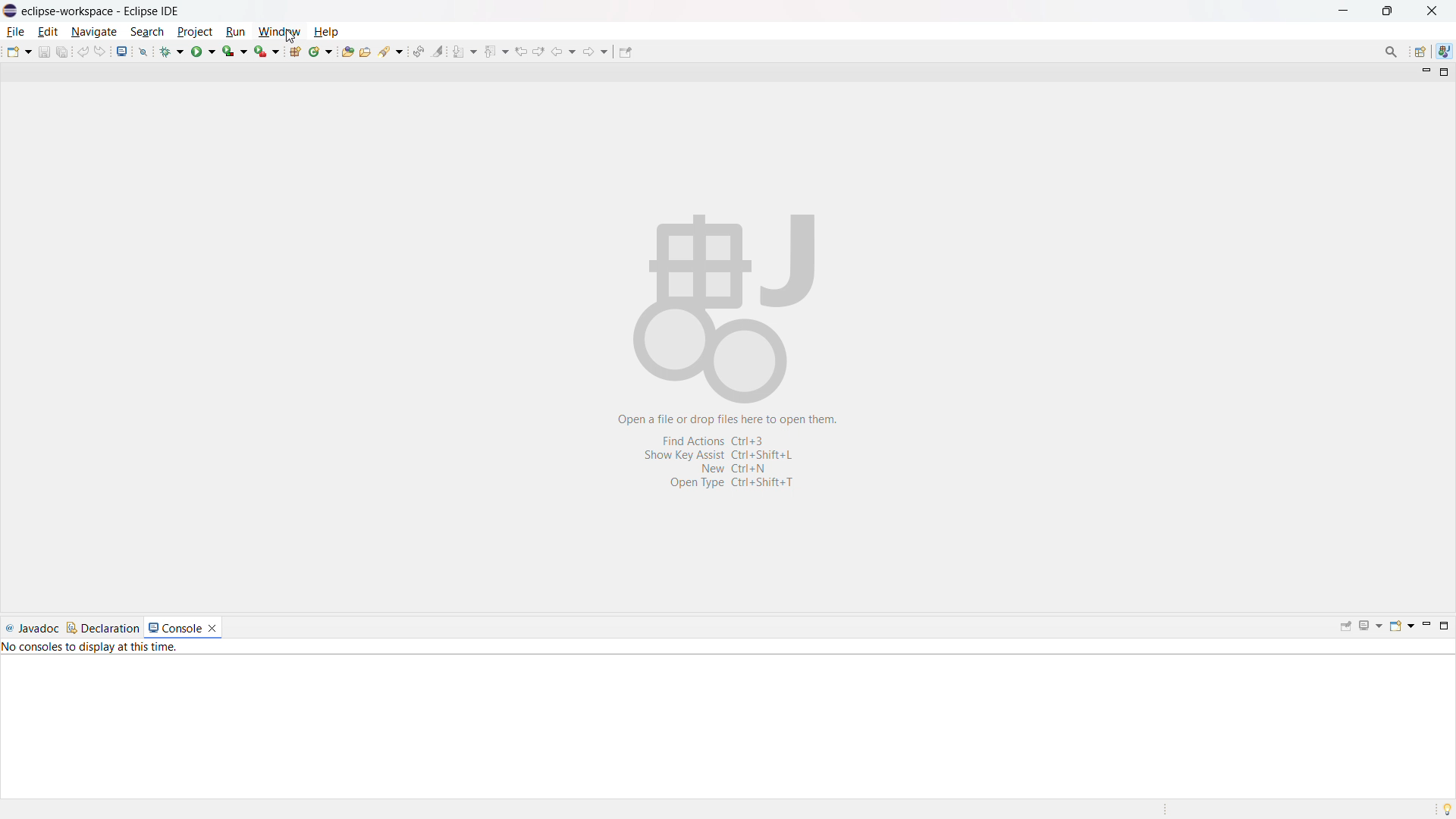 Image resolution: width=1456 pixels, height=819 pixels. What do you see at coordinates (732, 483) in the screenshot?
I see `Open Type Ctrl+Shift+T` at bounding box center [732, 483].